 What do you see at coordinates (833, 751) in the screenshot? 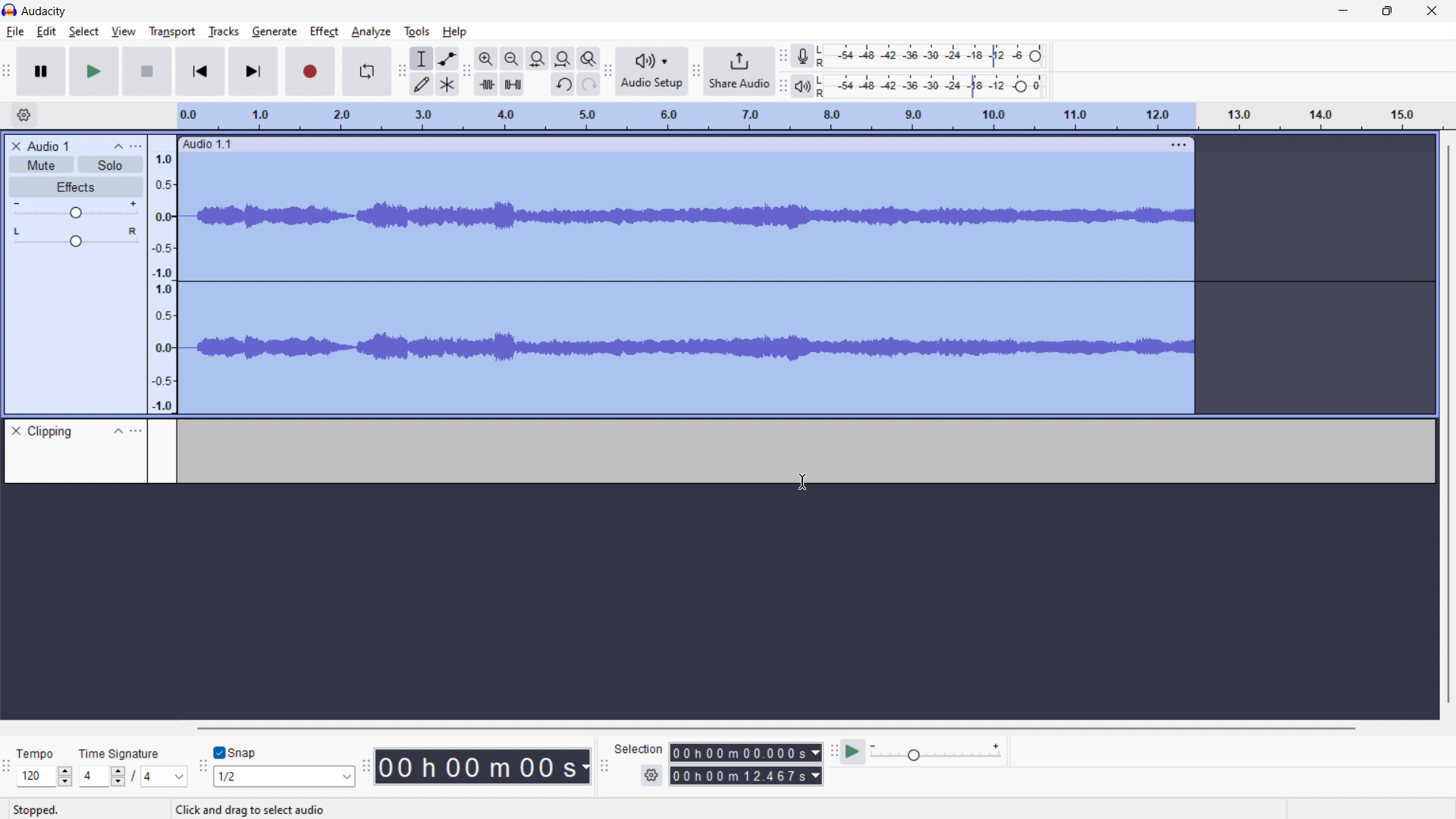
I see `play at speed toolbar` at bounding box center [833, 751].